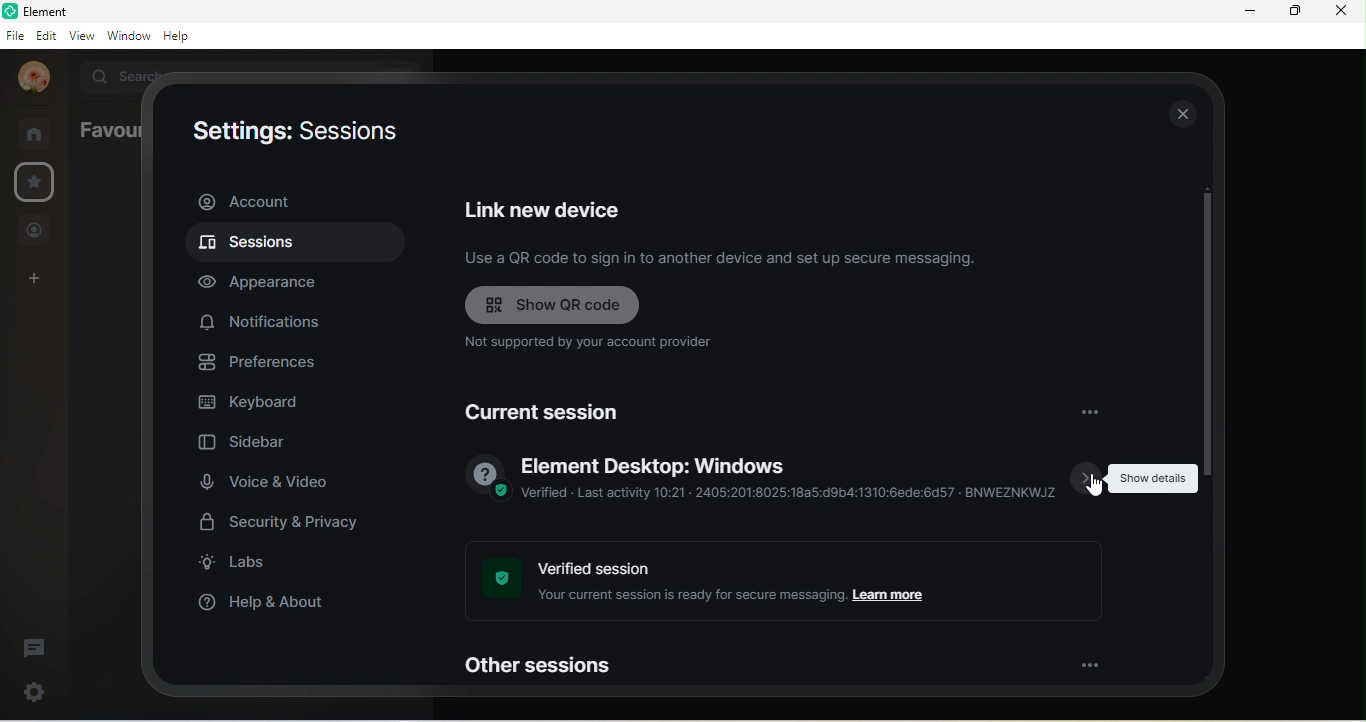  Describe the element at coordinates (76, 11) in the screenshot. I see `element b room` at that location.